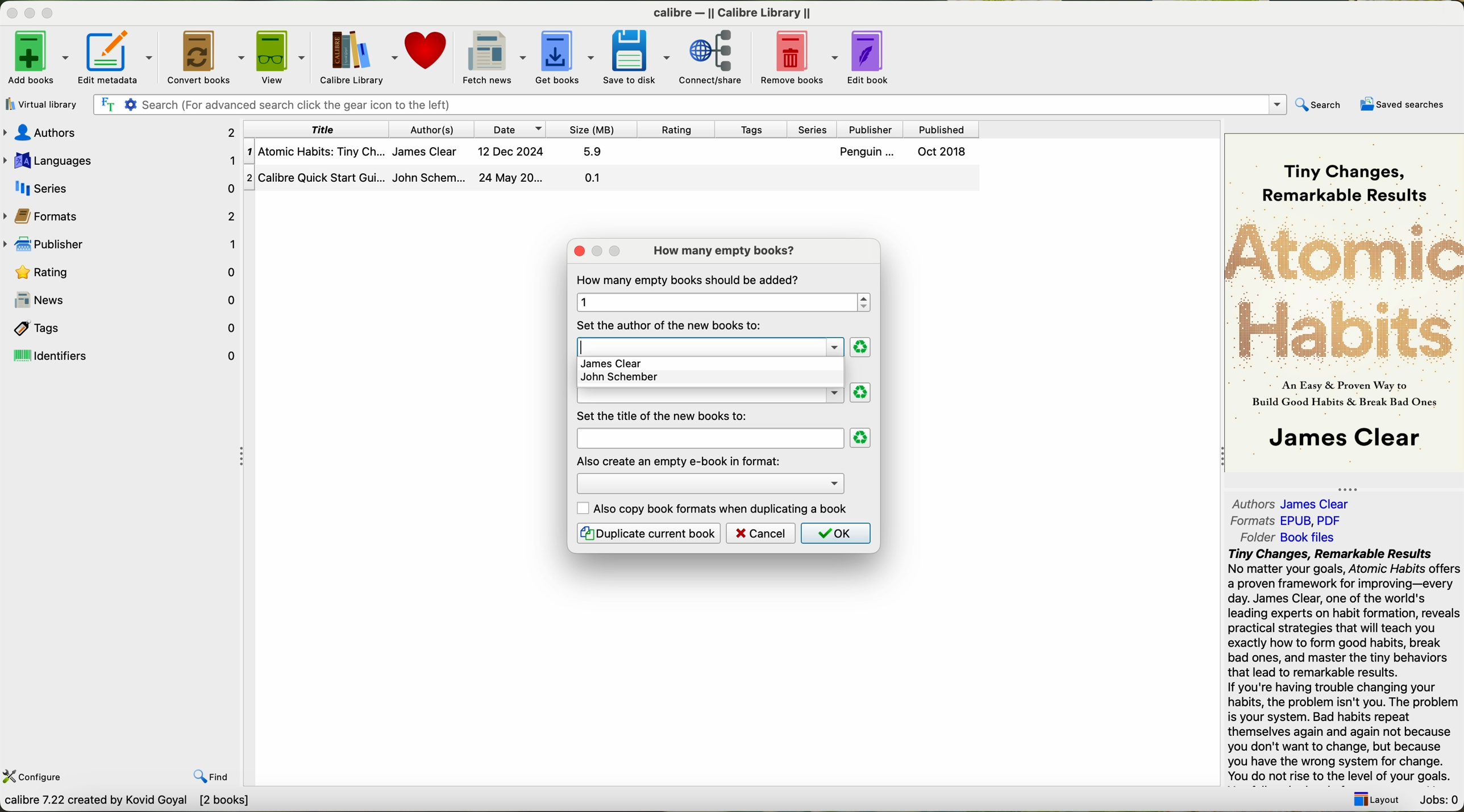 The image size is (1464, 812). I want to click on calibre library, so click(355, 56).